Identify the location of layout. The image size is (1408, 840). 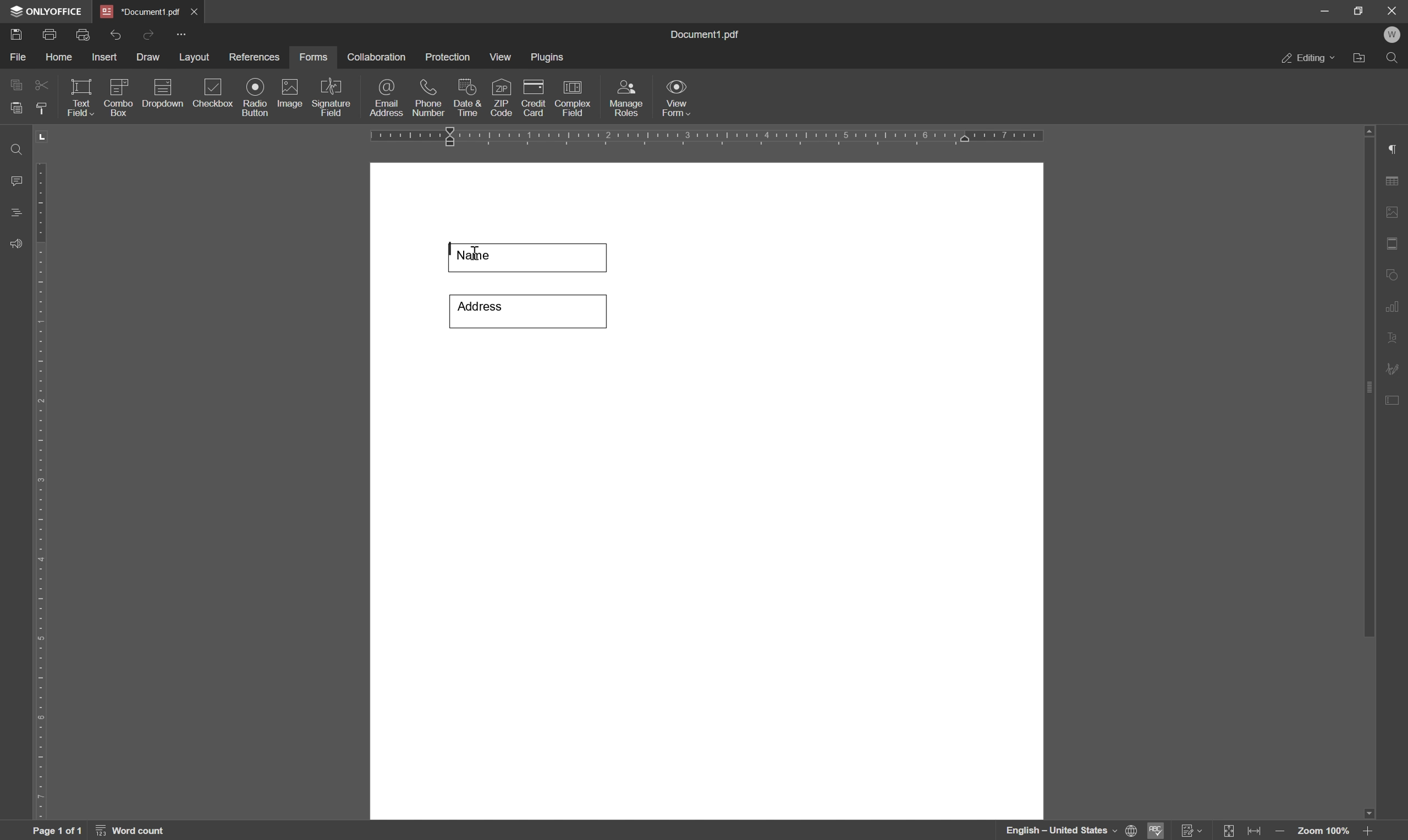
(194, 58).